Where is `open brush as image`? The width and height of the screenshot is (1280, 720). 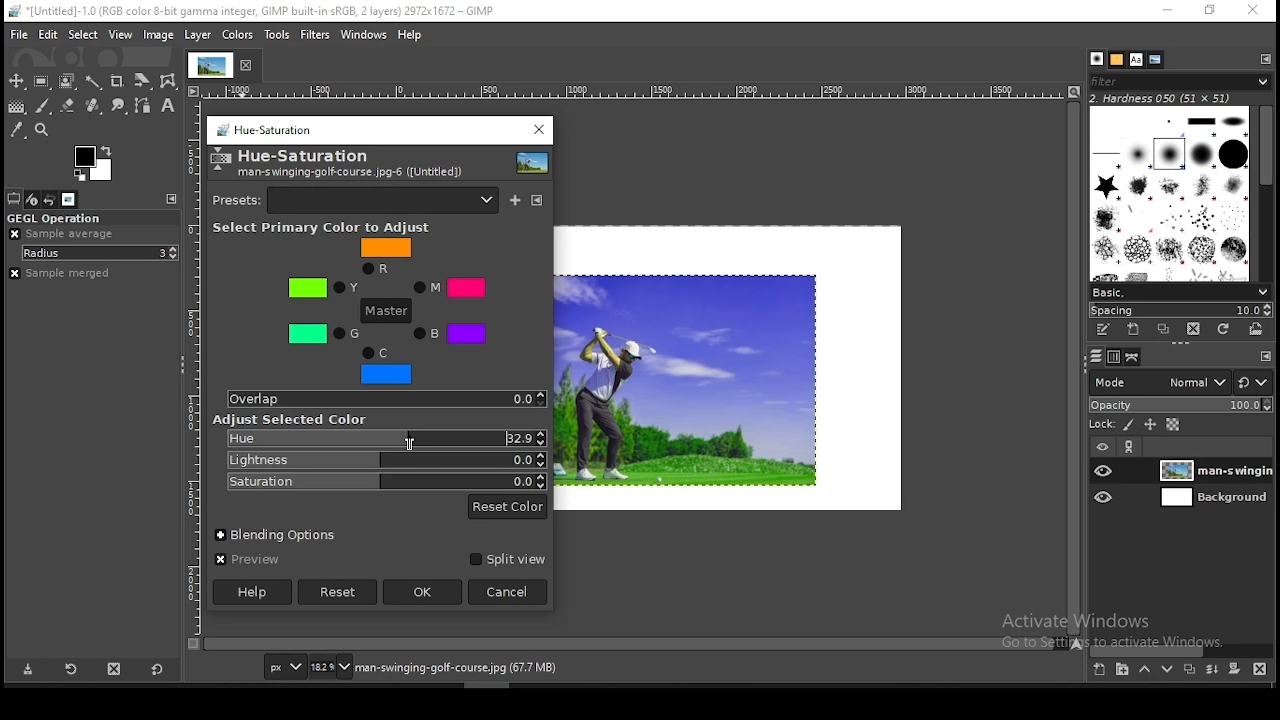
open brush as image is located at coordinates (1256, 329).